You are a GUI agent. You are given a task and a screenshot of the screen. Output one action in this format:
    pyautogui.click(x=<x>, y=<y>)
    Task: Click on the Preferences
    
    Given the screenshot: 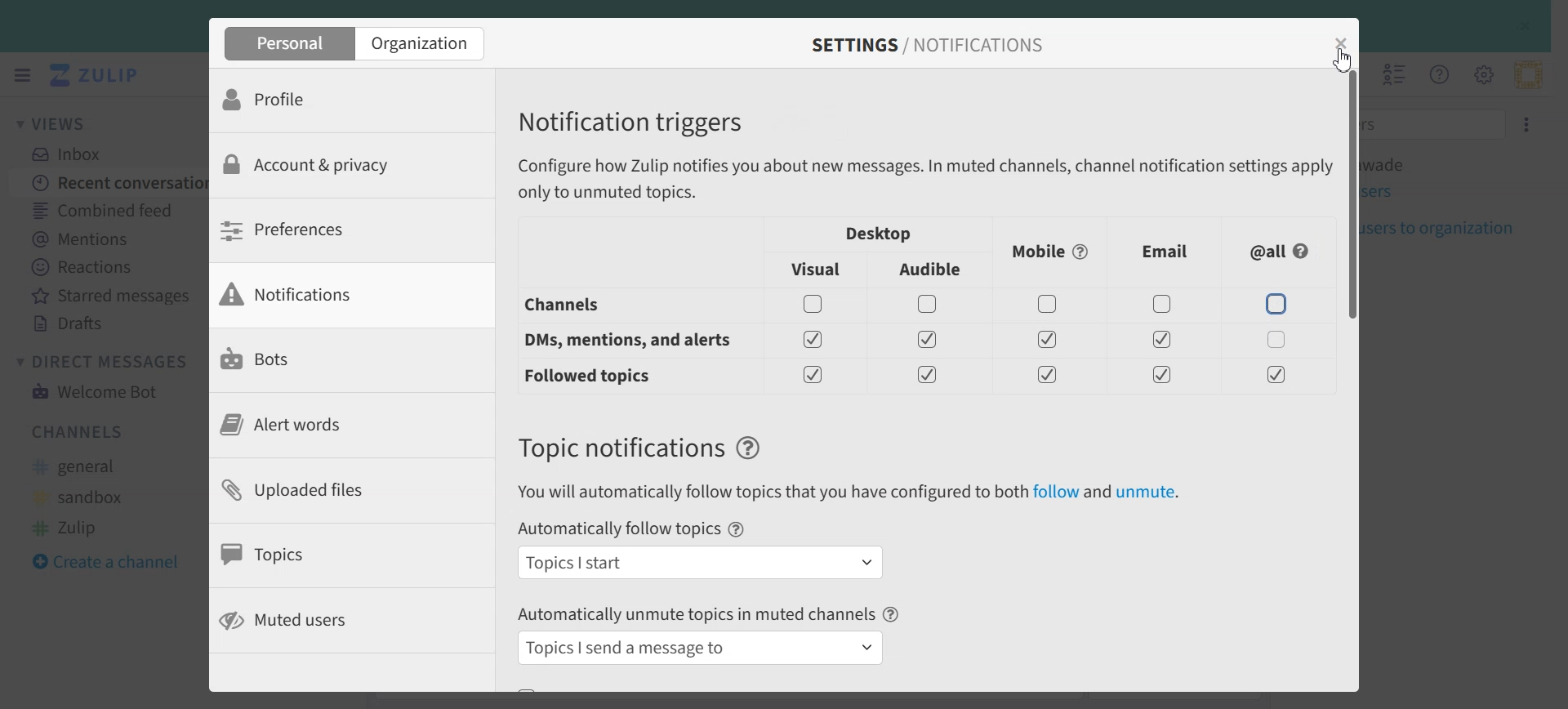 What is the action you would take?
    pyautogui.click(x=330, y=230)
    